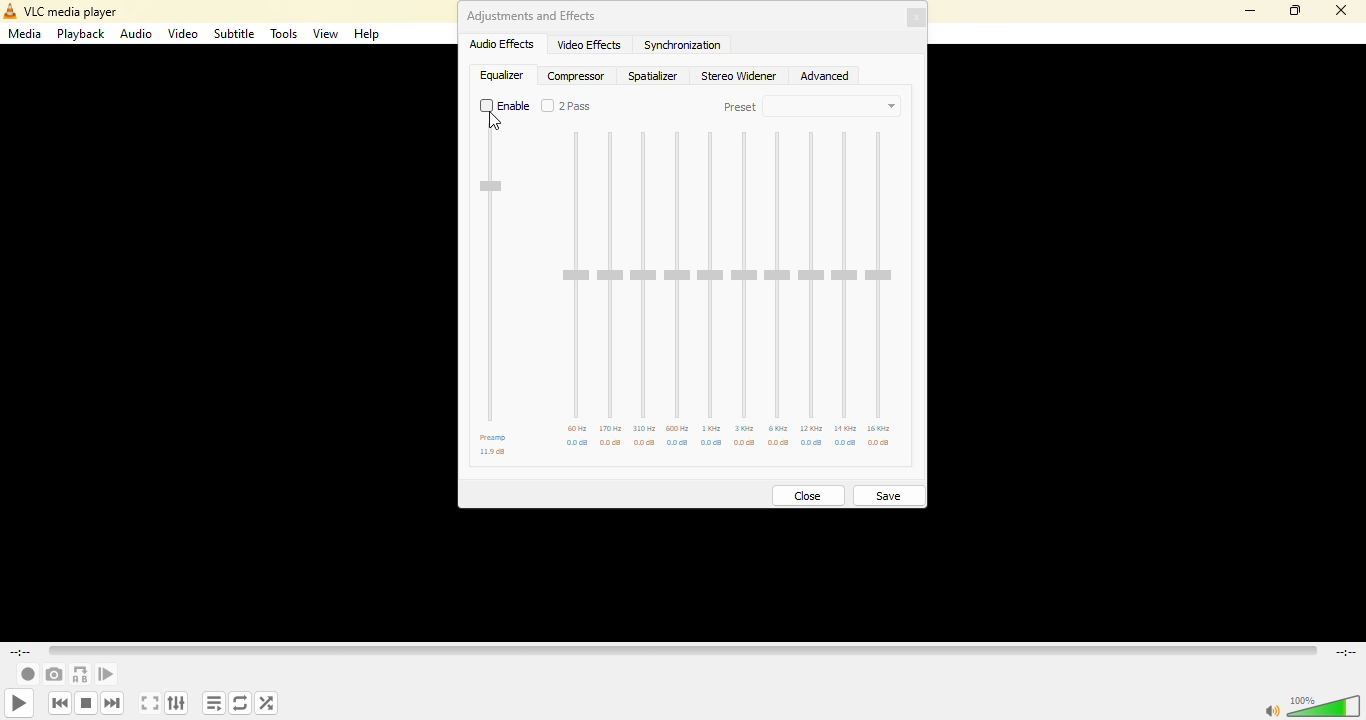 This screenshot has height=720, width=1366. What do you see at coordinates (1293, 9) in the screenshot?
I see `maximize` at bounding box center [1293, 9].